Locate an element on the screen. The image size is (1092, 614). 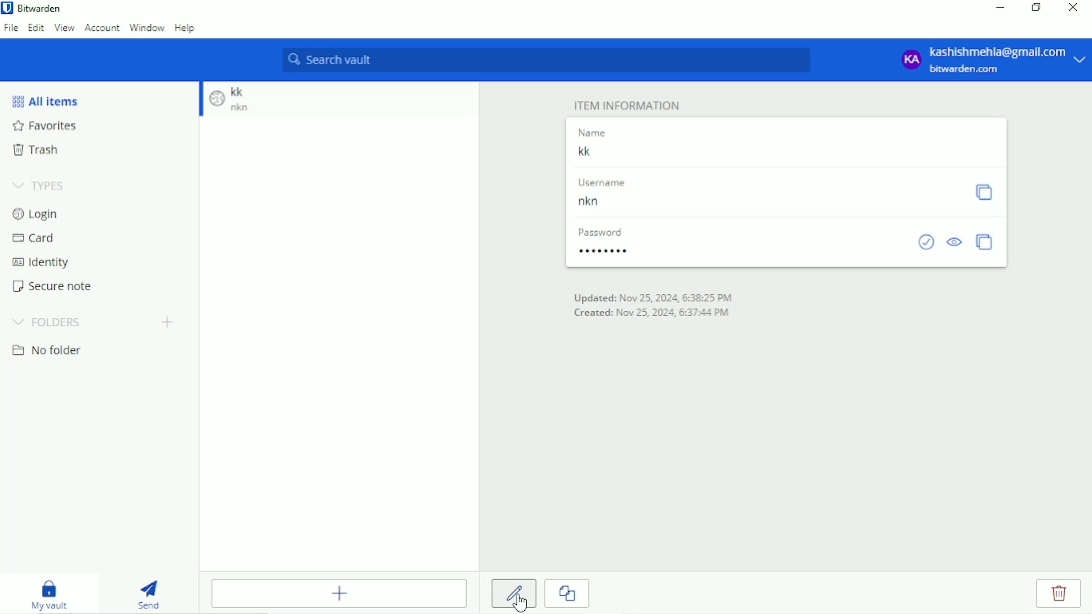
CURSOR is located at coordinates (520, 603).